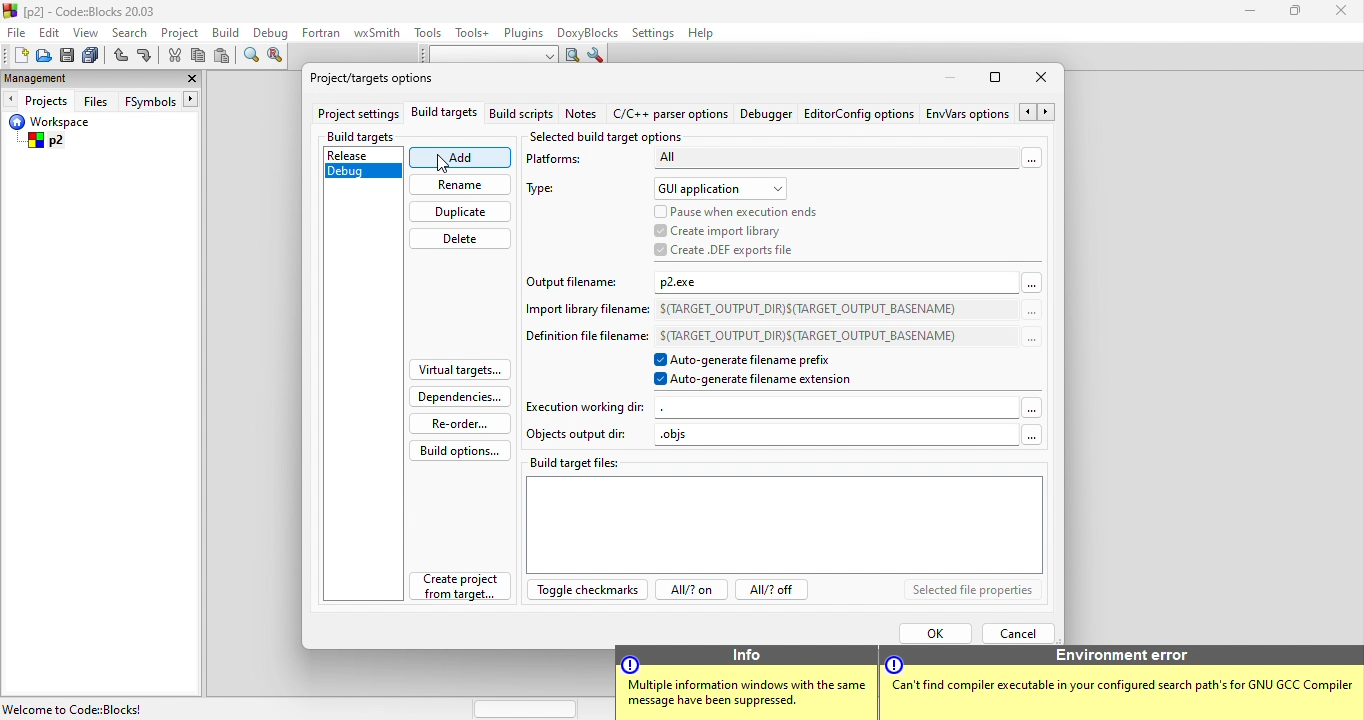  Describe the element at coordinates (775, 282) in the screenshot. I see `Output filename: p2.exe` at that location.